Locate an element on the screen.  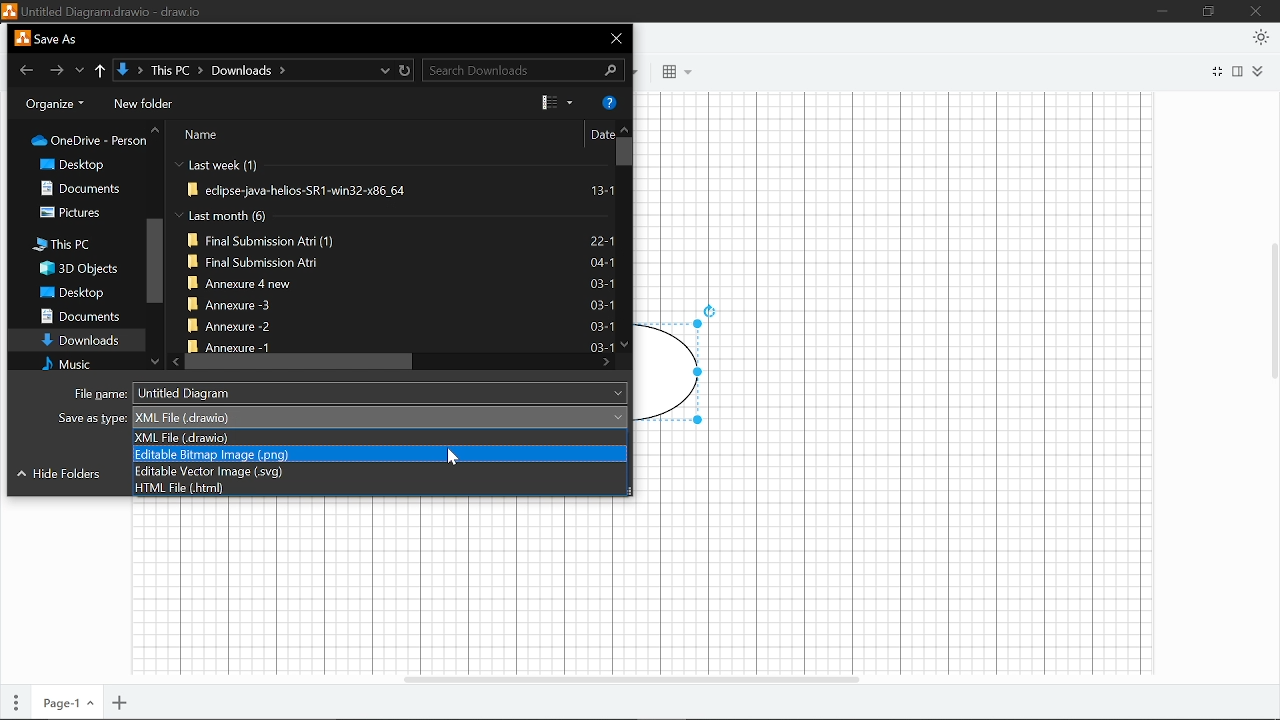
Help is located at coordinates (607, 102).